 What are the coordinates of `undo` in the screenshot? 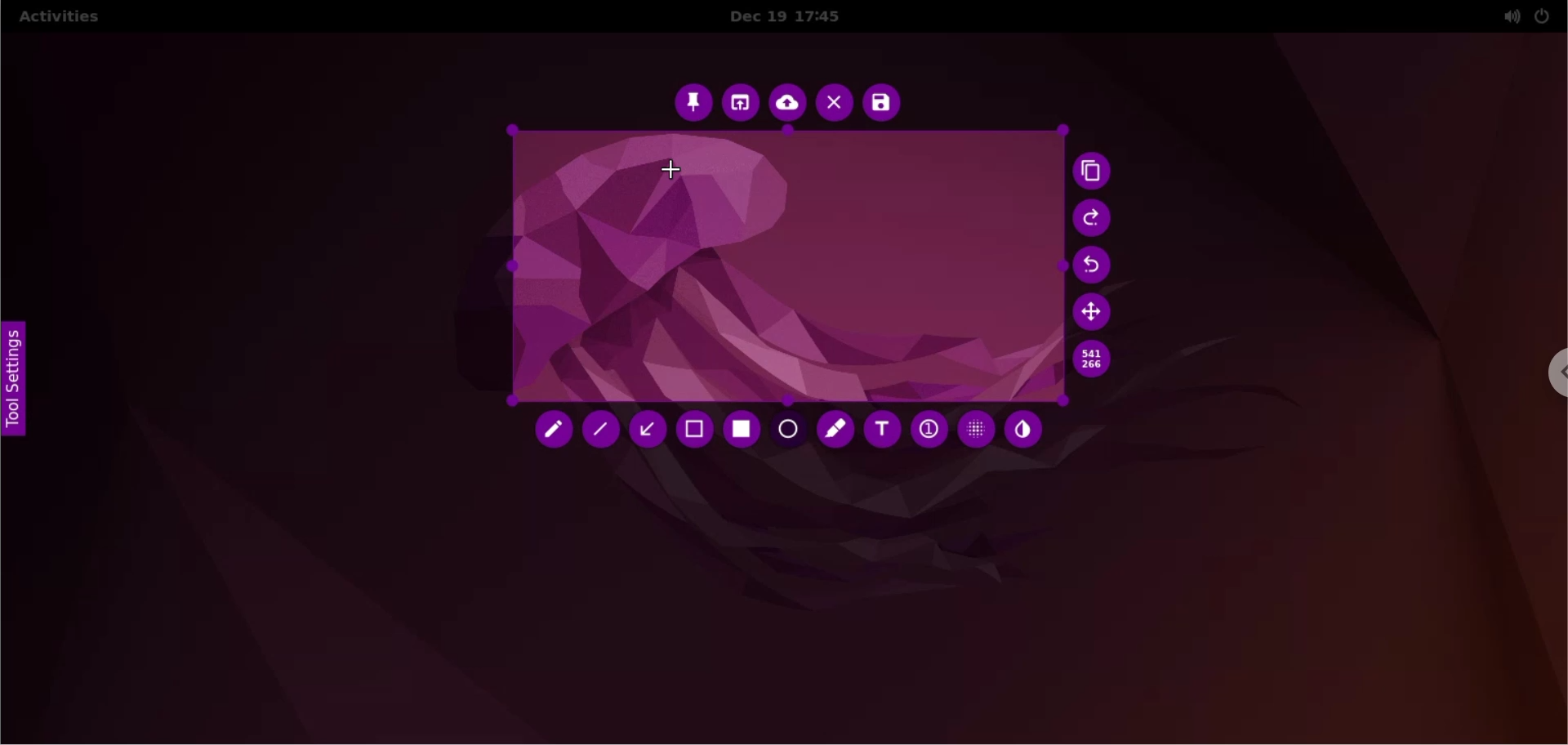 It's located at (1098, 266).